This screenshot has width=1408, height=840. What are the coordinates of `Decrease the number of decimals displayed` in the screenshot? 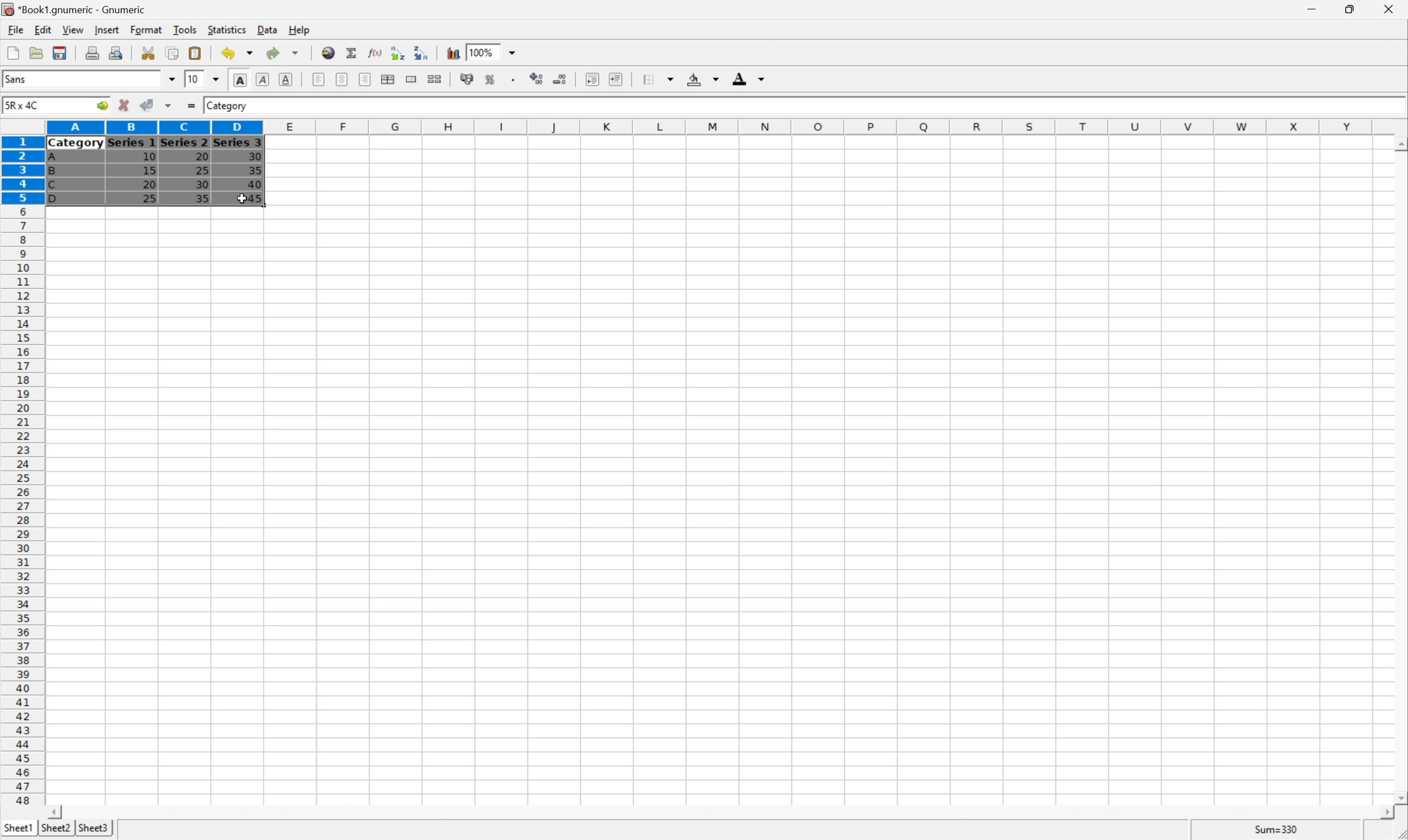 It's located at (559, 78).